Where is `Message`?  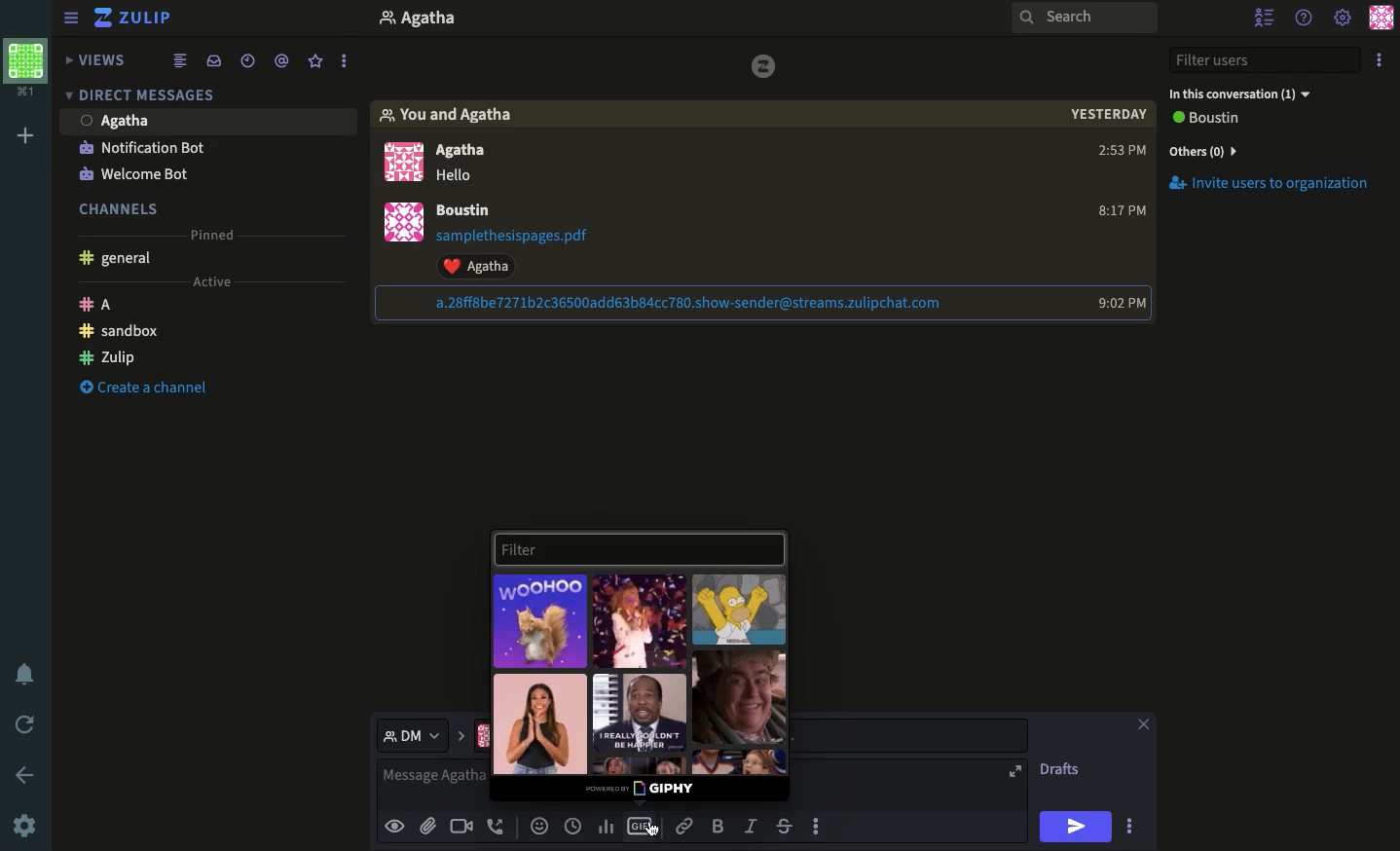
Message is located at coordinates (435, 784).